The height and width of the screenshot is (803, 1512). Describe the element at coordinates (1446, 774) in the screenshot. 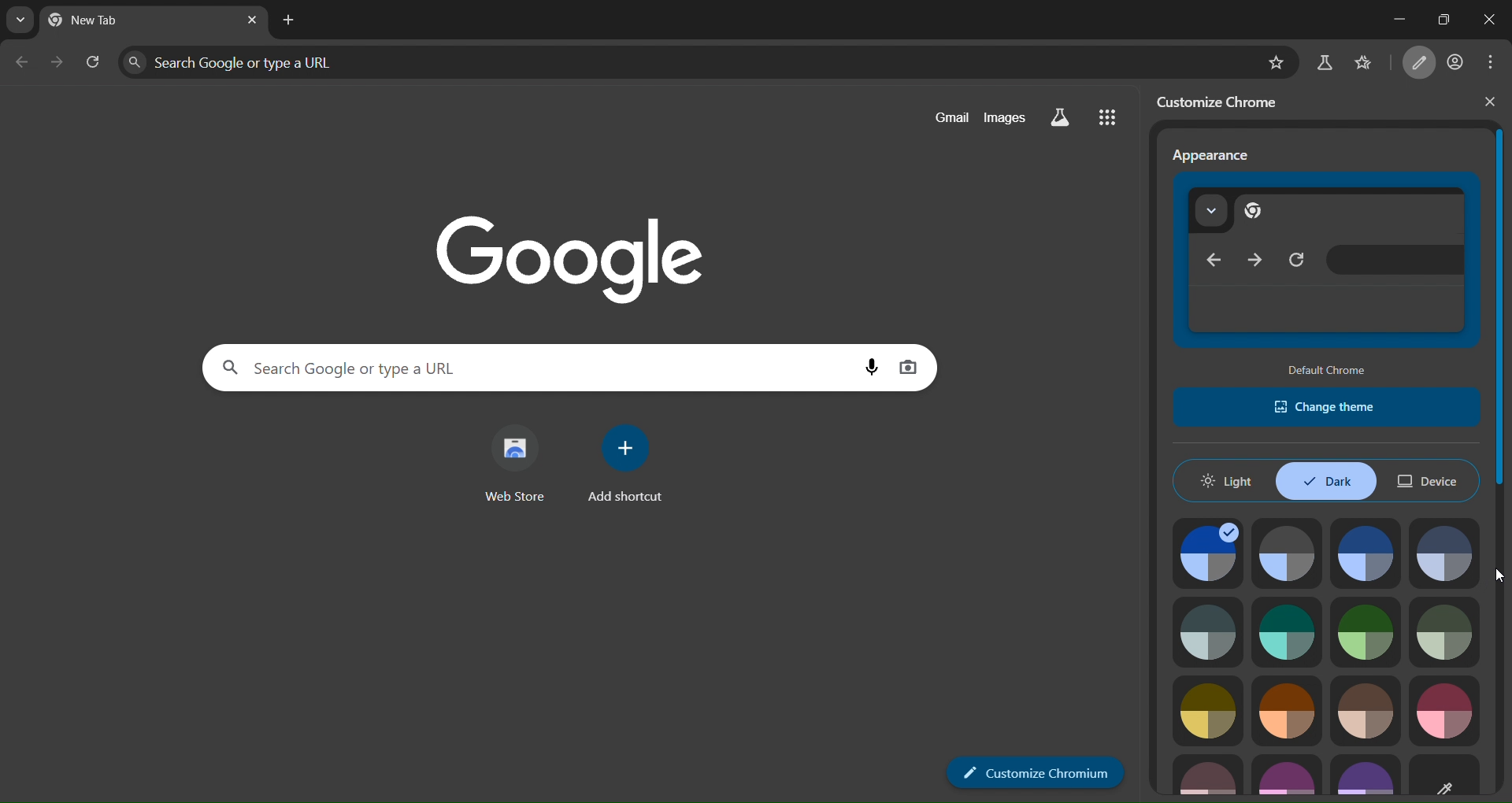

I see `image` at that location.